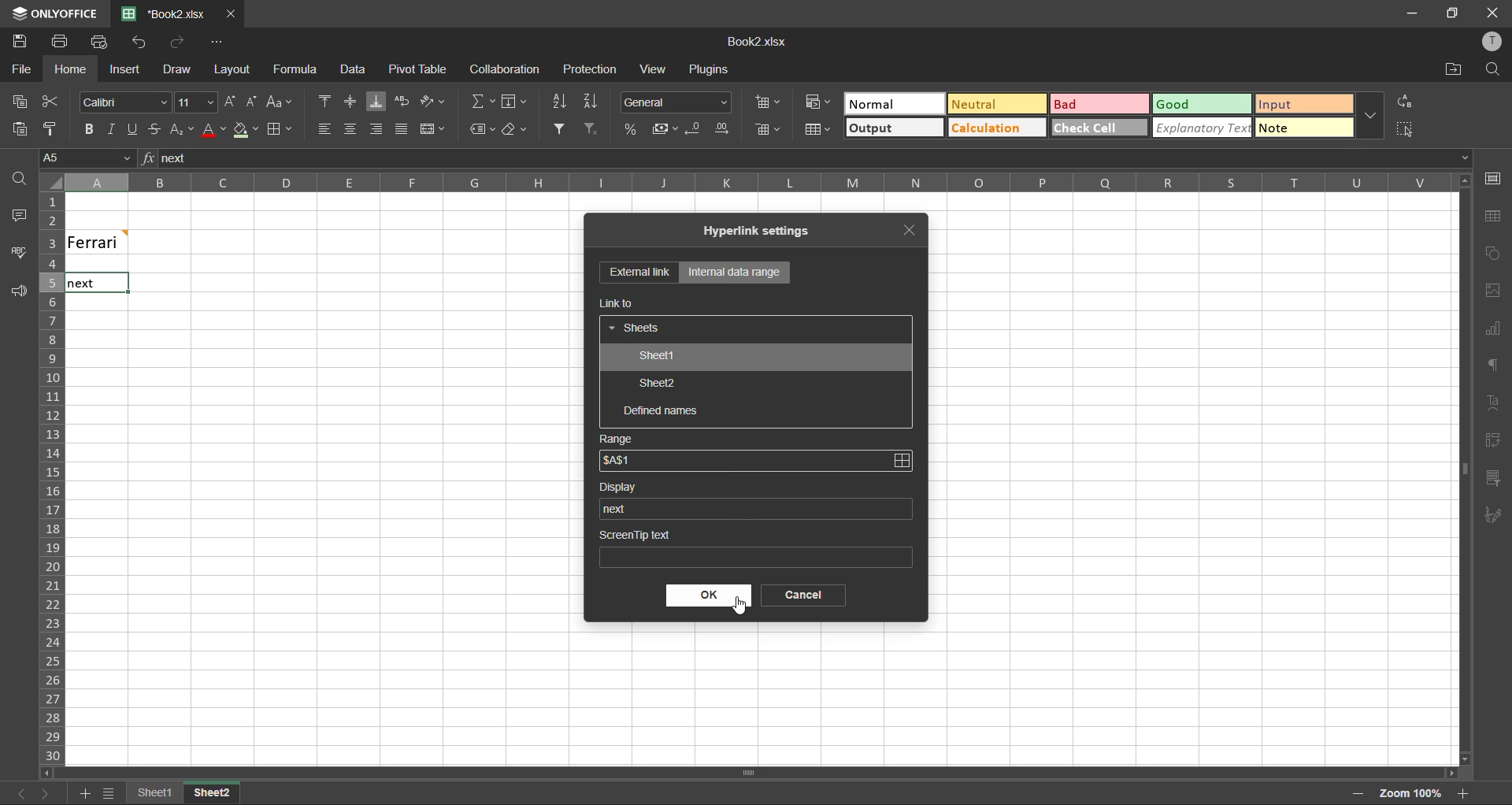 This screenshot has width=1512, height=805. Describe the element at coordinates (636, 329) in the screenshot. I see `sheets` at that location.